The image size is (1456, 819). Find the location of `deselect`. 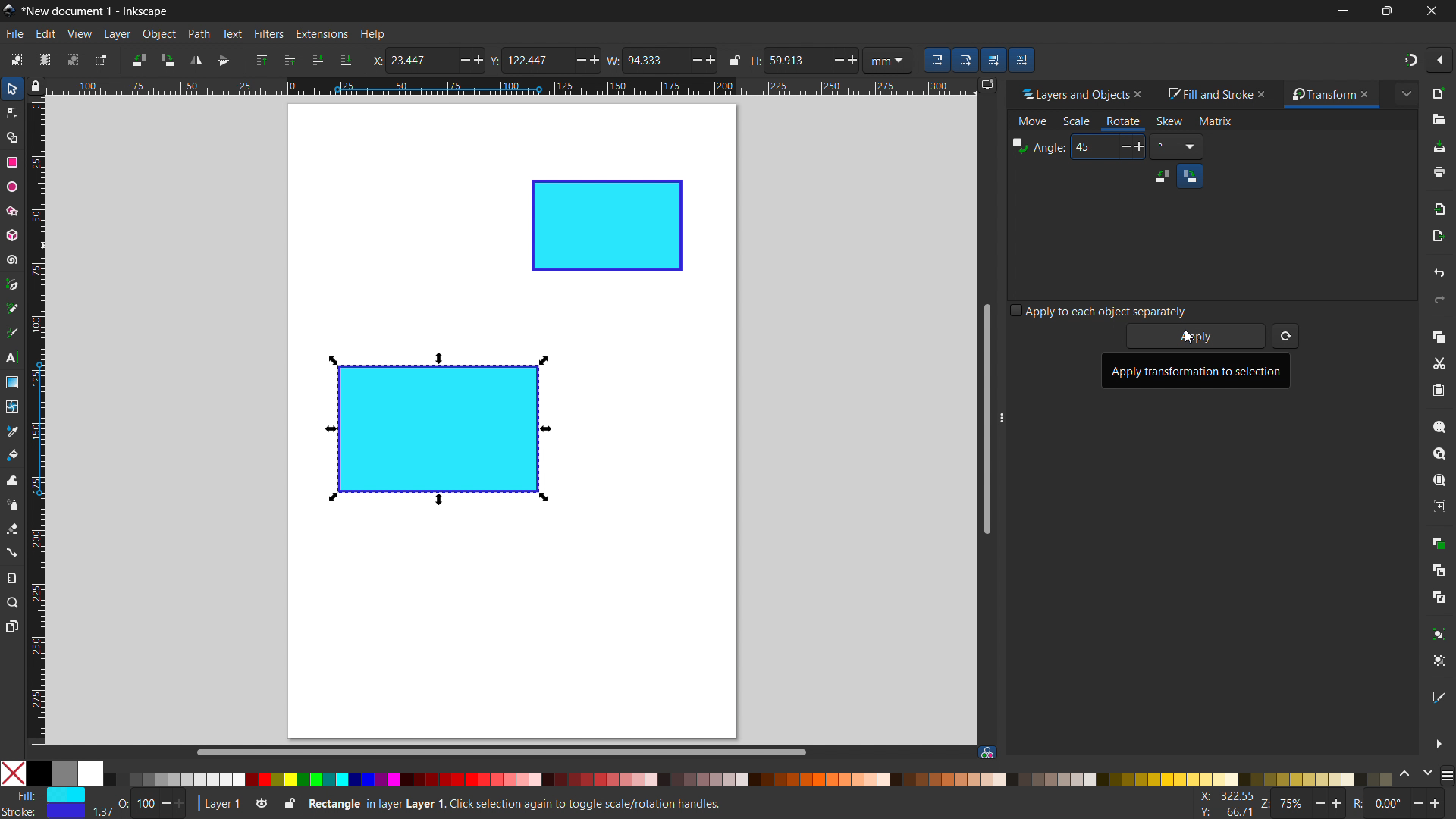

deselect is located at coordinates (73, 59).